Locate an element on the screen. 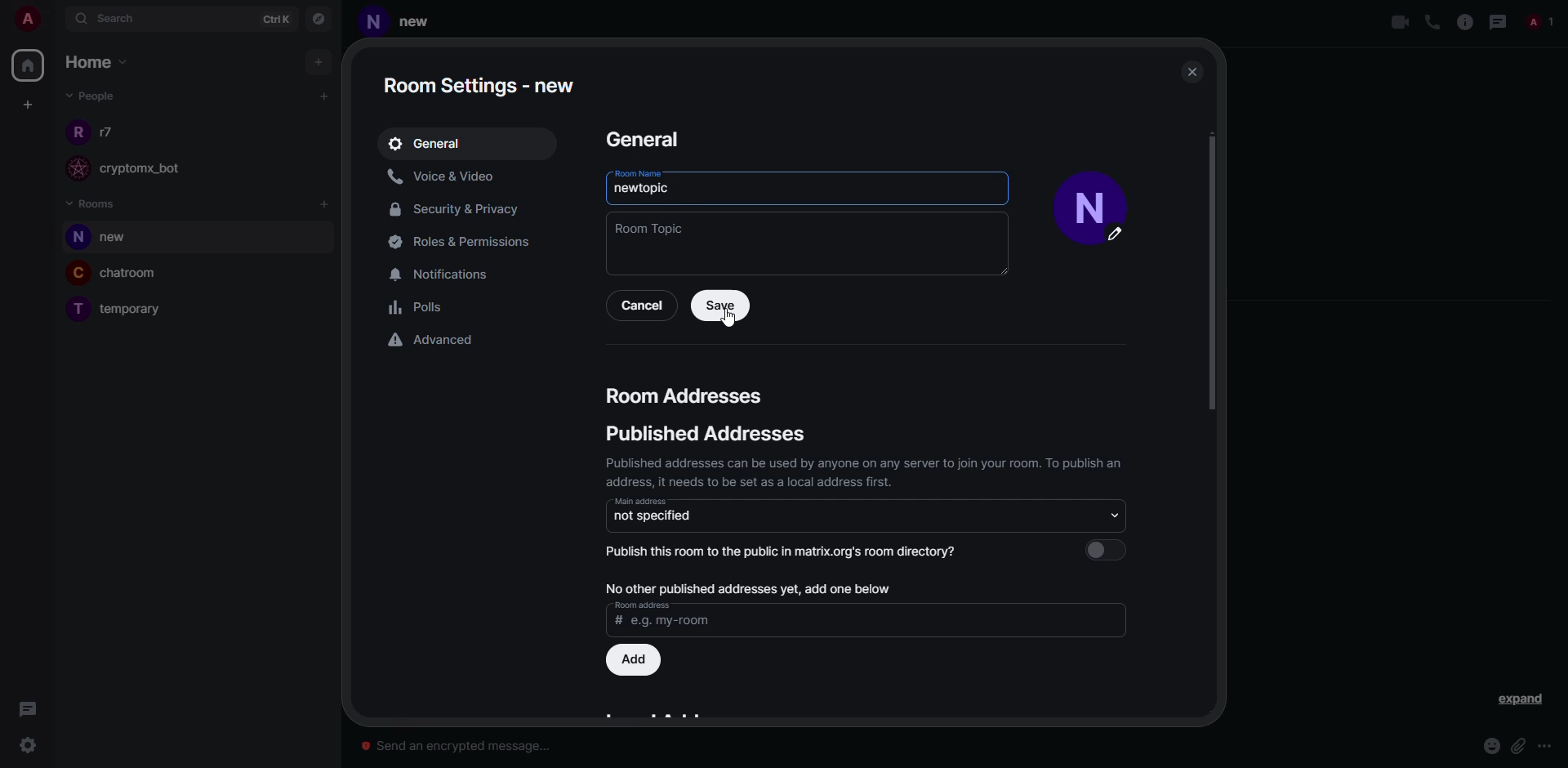  add is located at coordinates (326, 205).